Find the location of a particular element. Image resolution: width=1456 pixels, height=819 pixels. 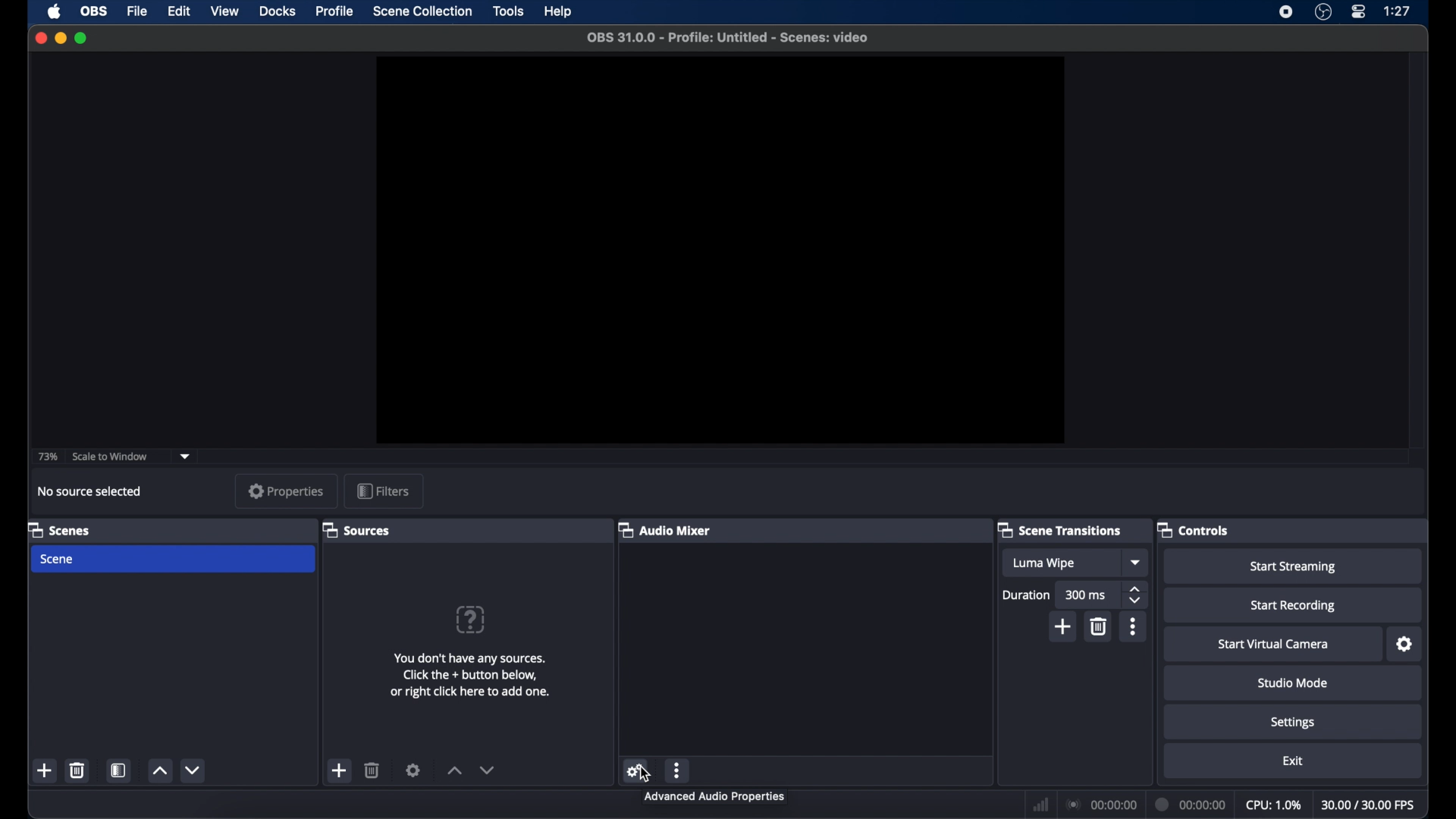

add is located at coordinates (45, 770).